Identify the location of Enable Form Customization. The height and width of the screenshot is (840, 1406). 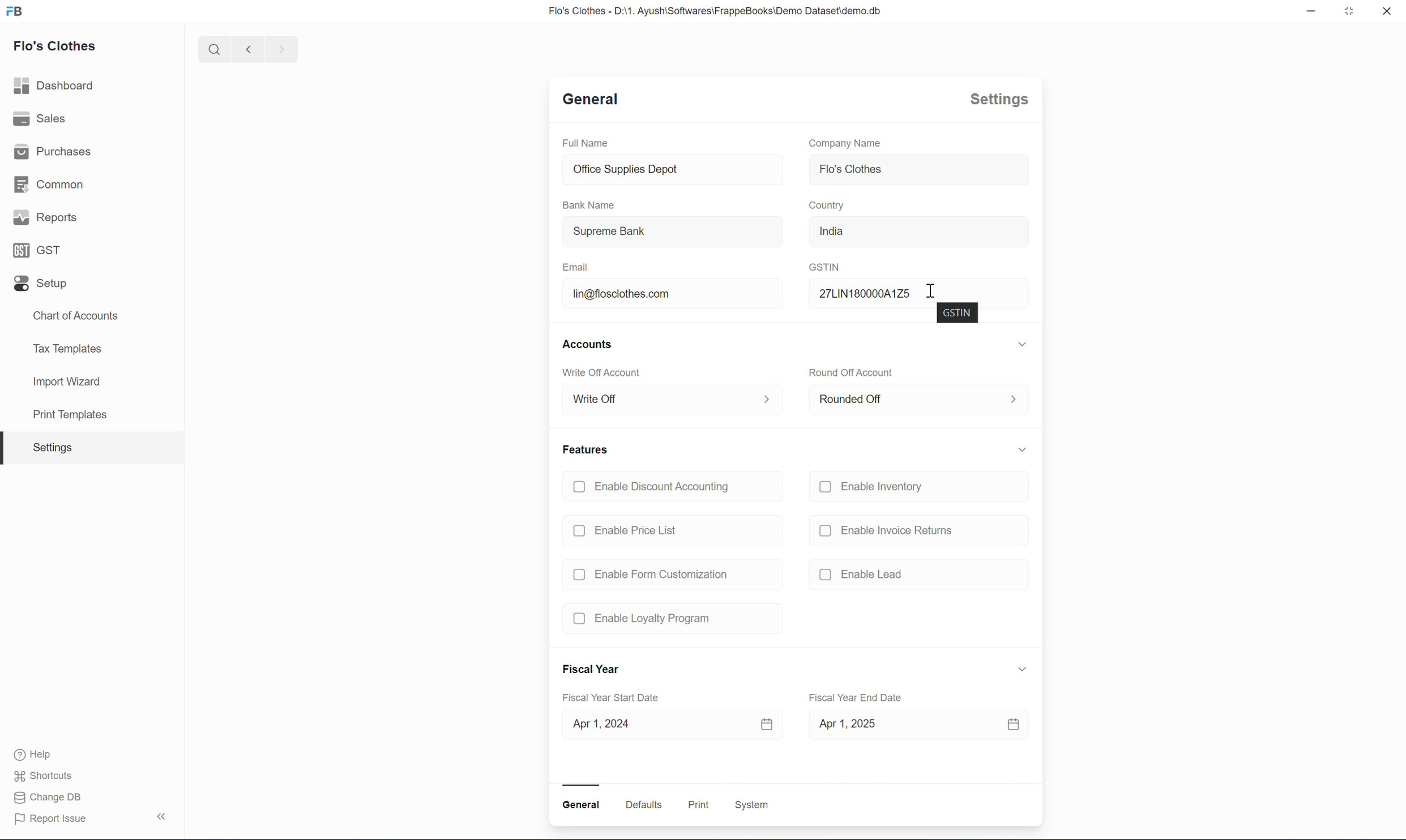
(649, 575).